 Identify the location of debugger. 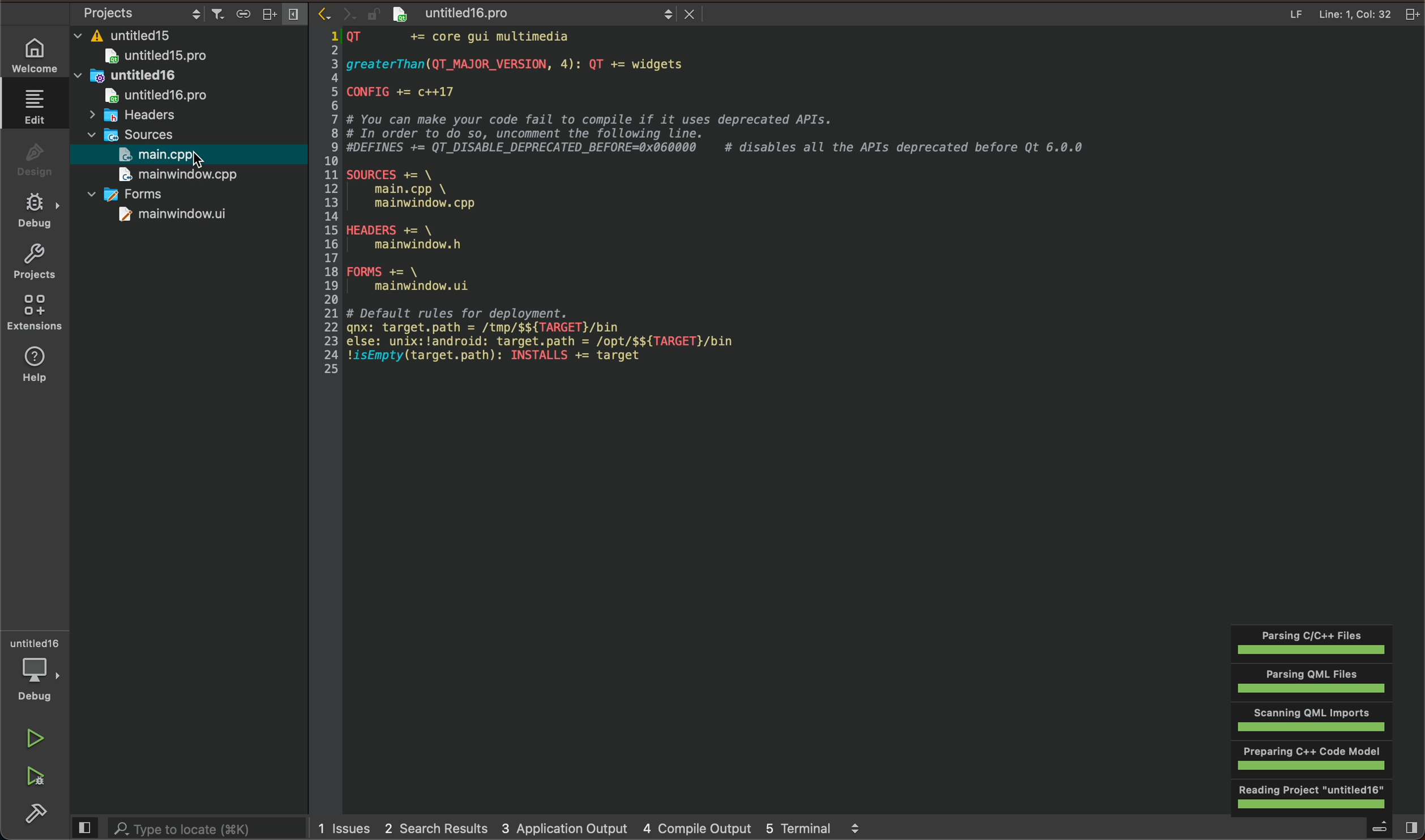
(38, 671).